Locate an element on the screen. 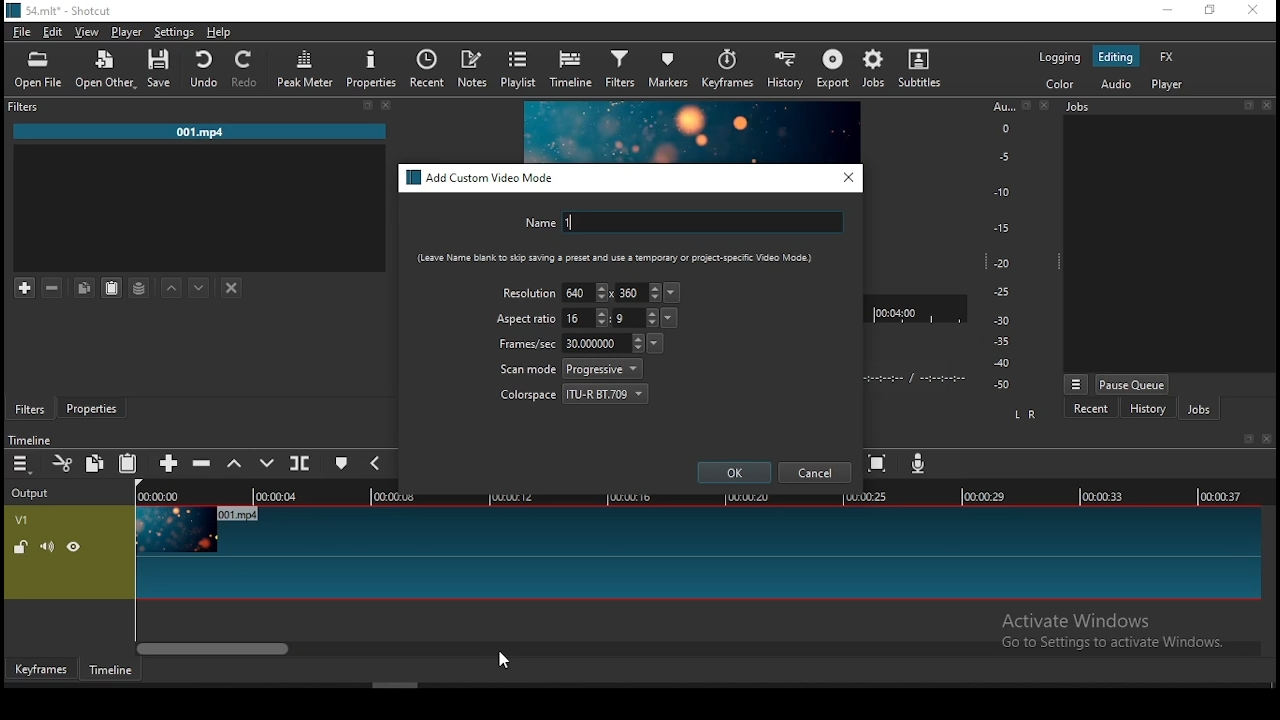  ripple delete is located at coordinates (201, 462).